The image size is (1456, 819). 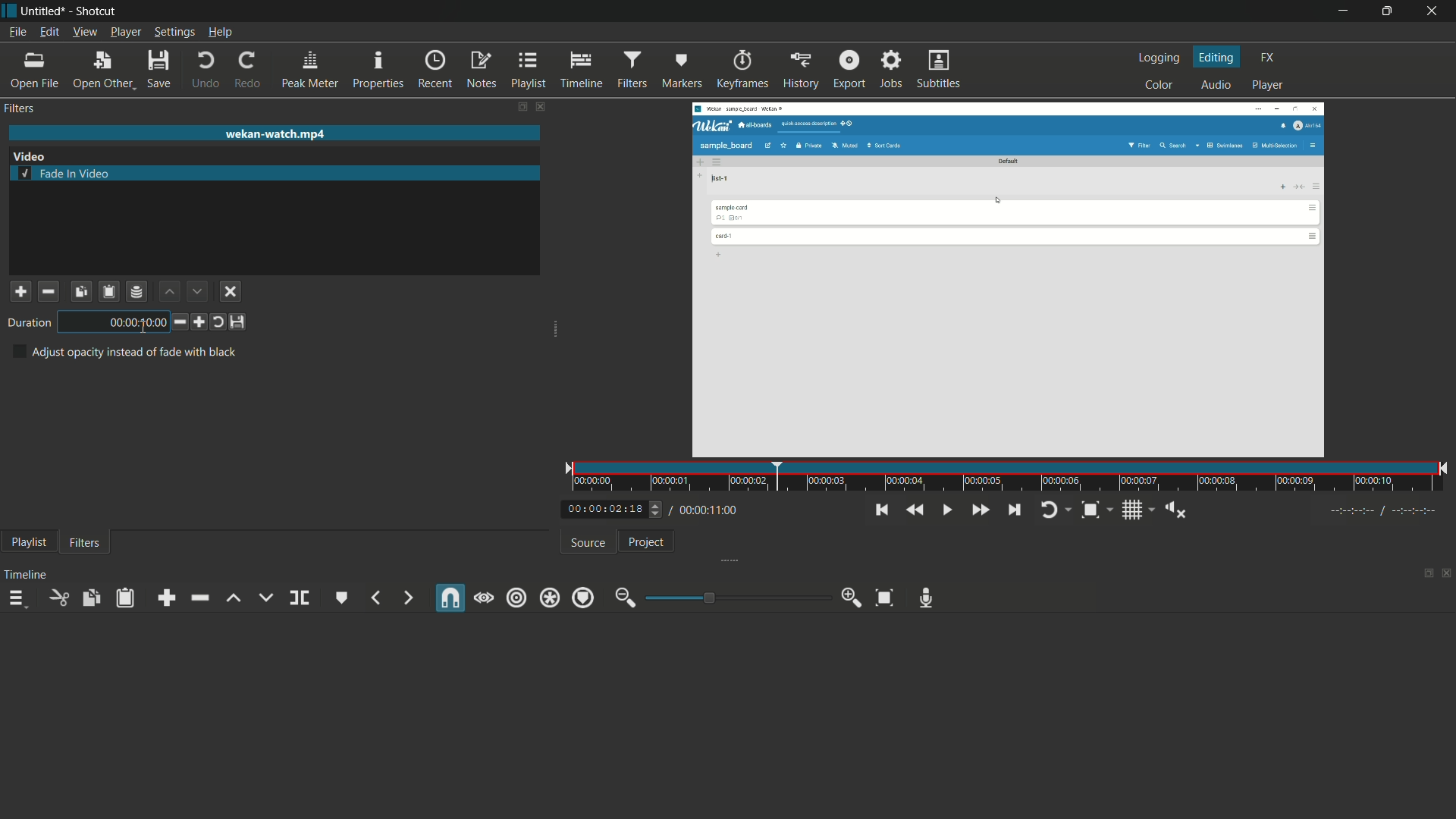 I want to click on copy checked filters, so click(x=90, y=598).